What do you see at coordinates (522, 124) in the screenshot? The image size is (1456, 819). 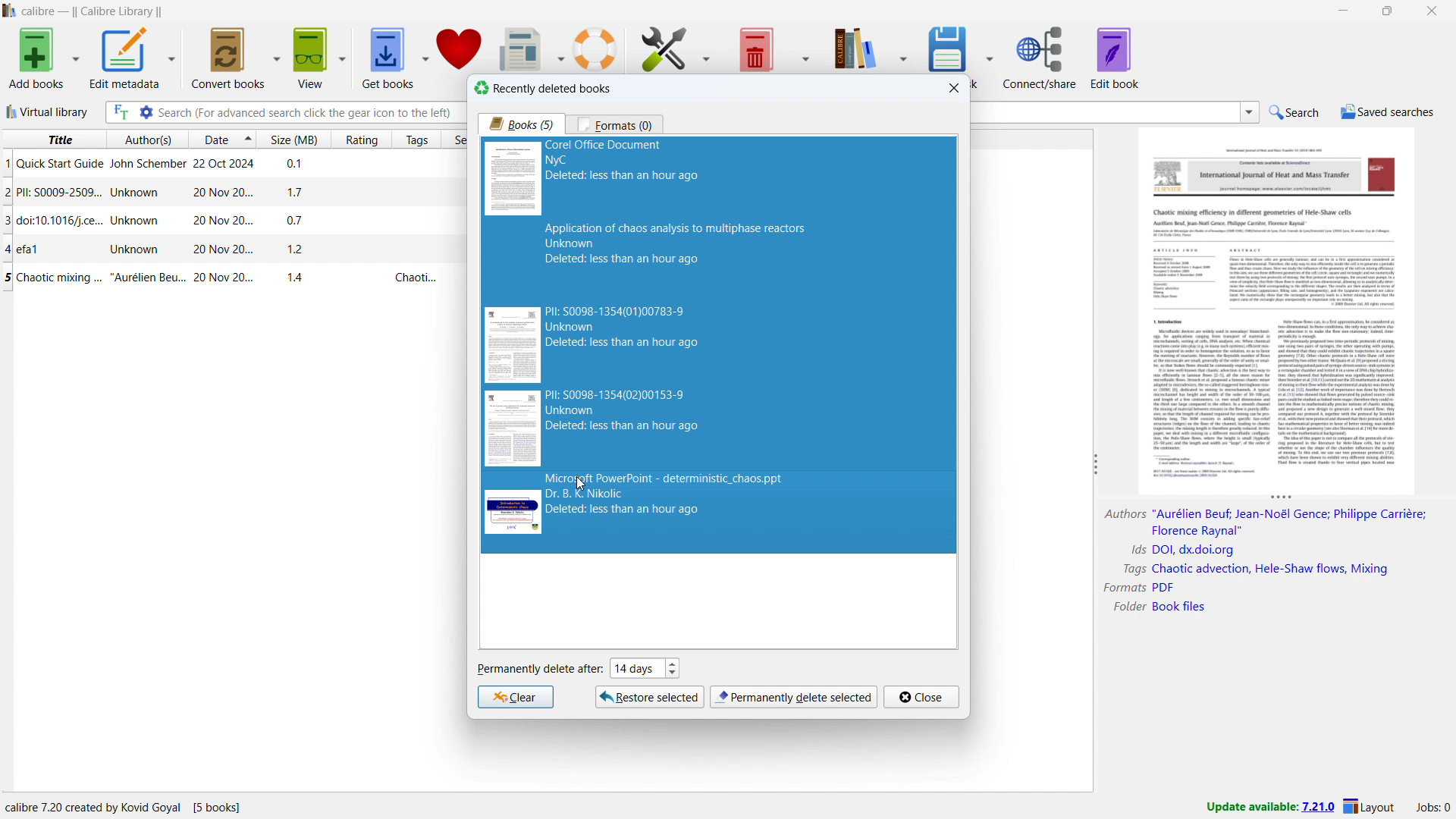 I see `books` at bounding box center [522, 124].